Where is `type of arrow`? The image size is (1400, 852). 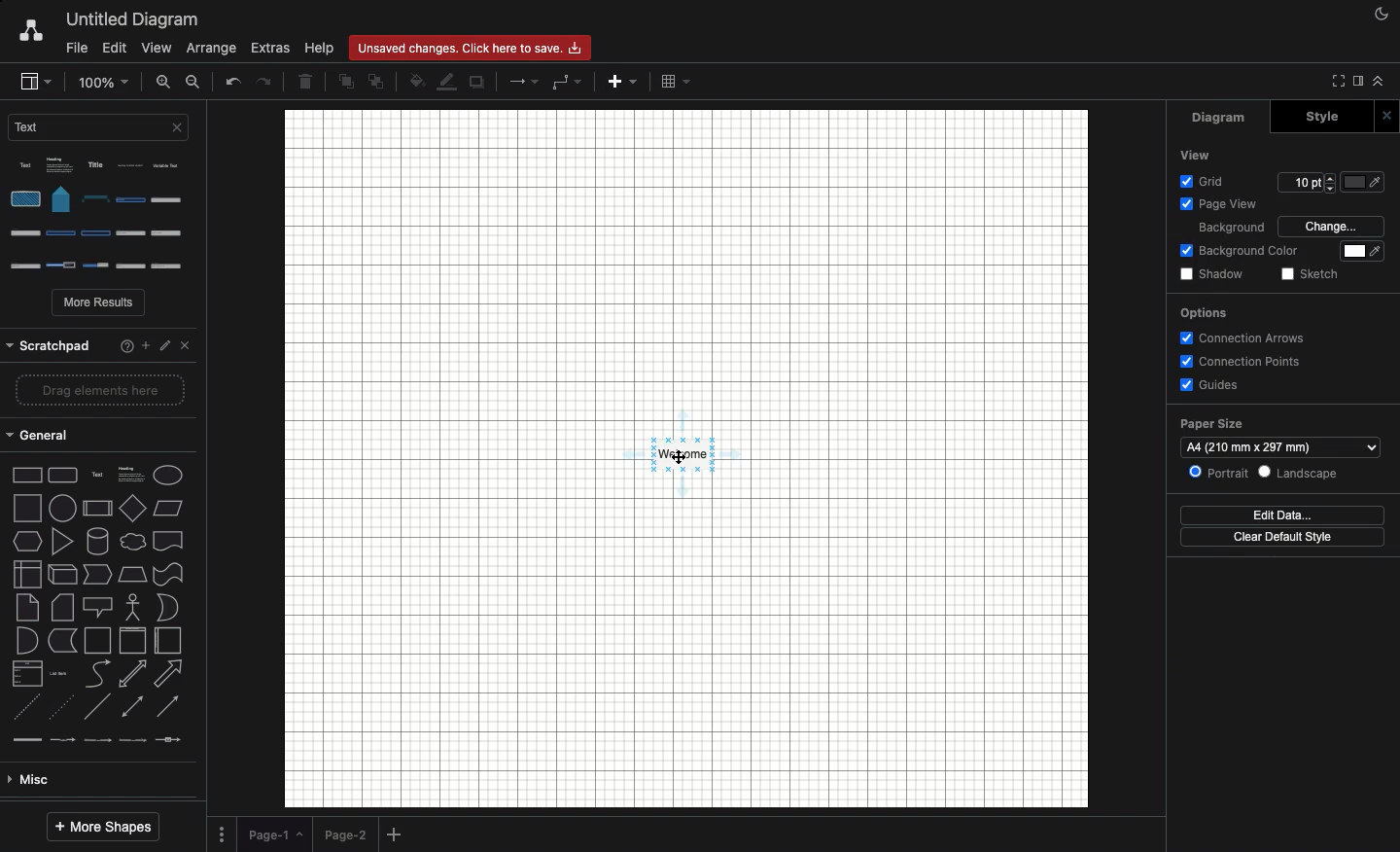
type of arrow is located at coordinates (104, 544).